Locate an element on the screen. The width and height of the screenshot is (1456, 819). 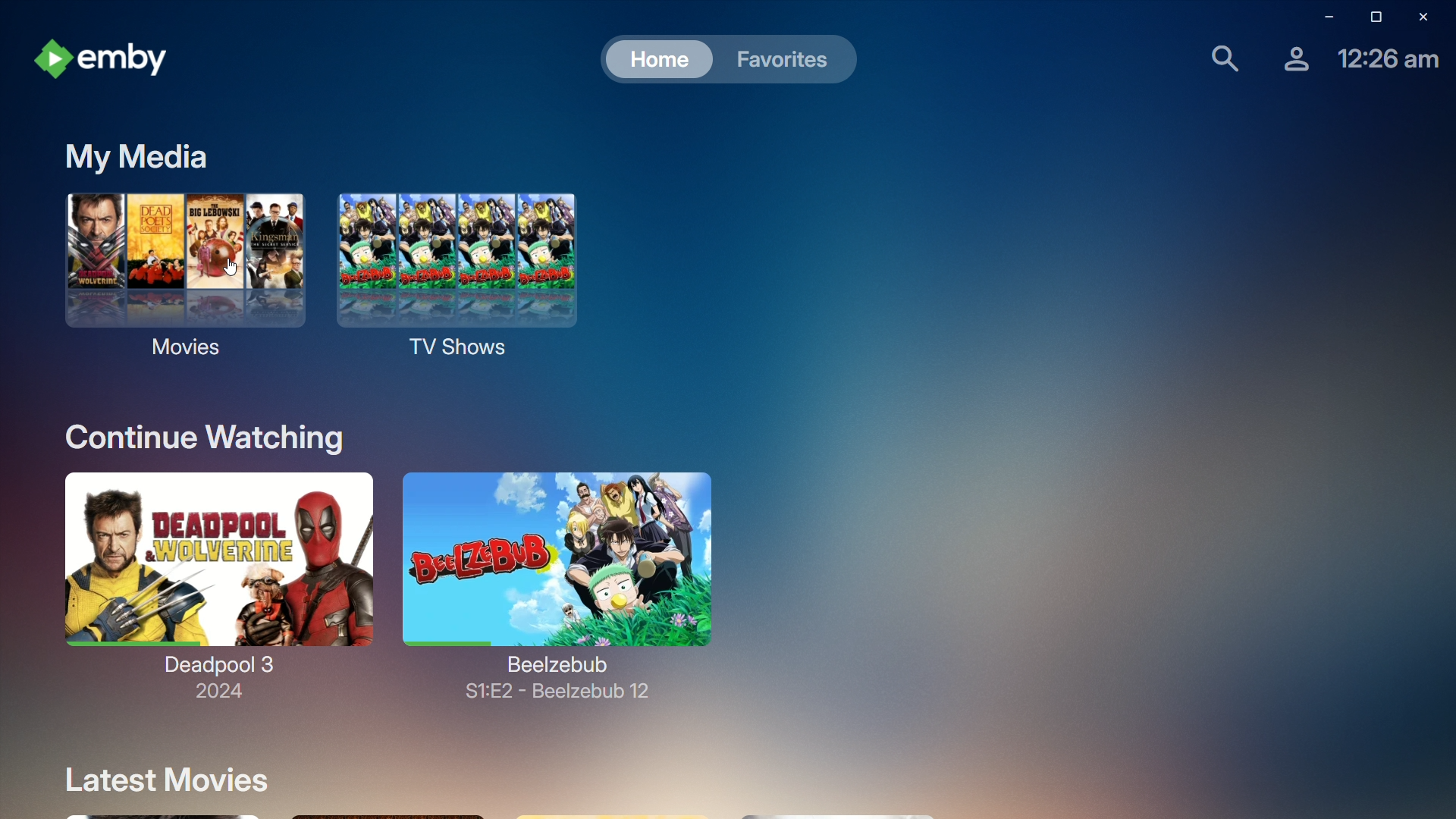
S1:E2 - Beelzebub 12 is located at coordinates (558, 696).